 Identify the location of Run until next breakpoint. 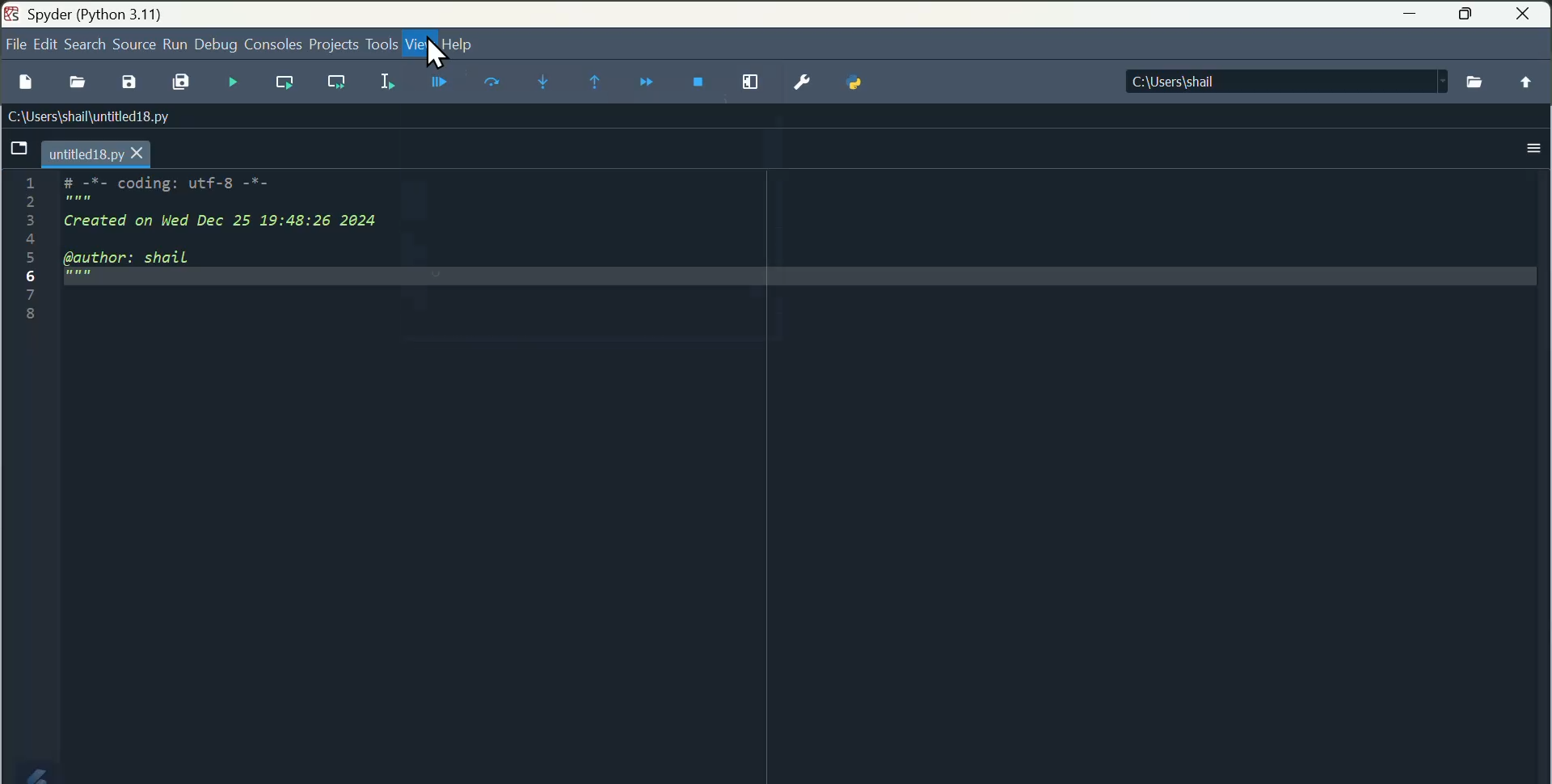
(595, 85).